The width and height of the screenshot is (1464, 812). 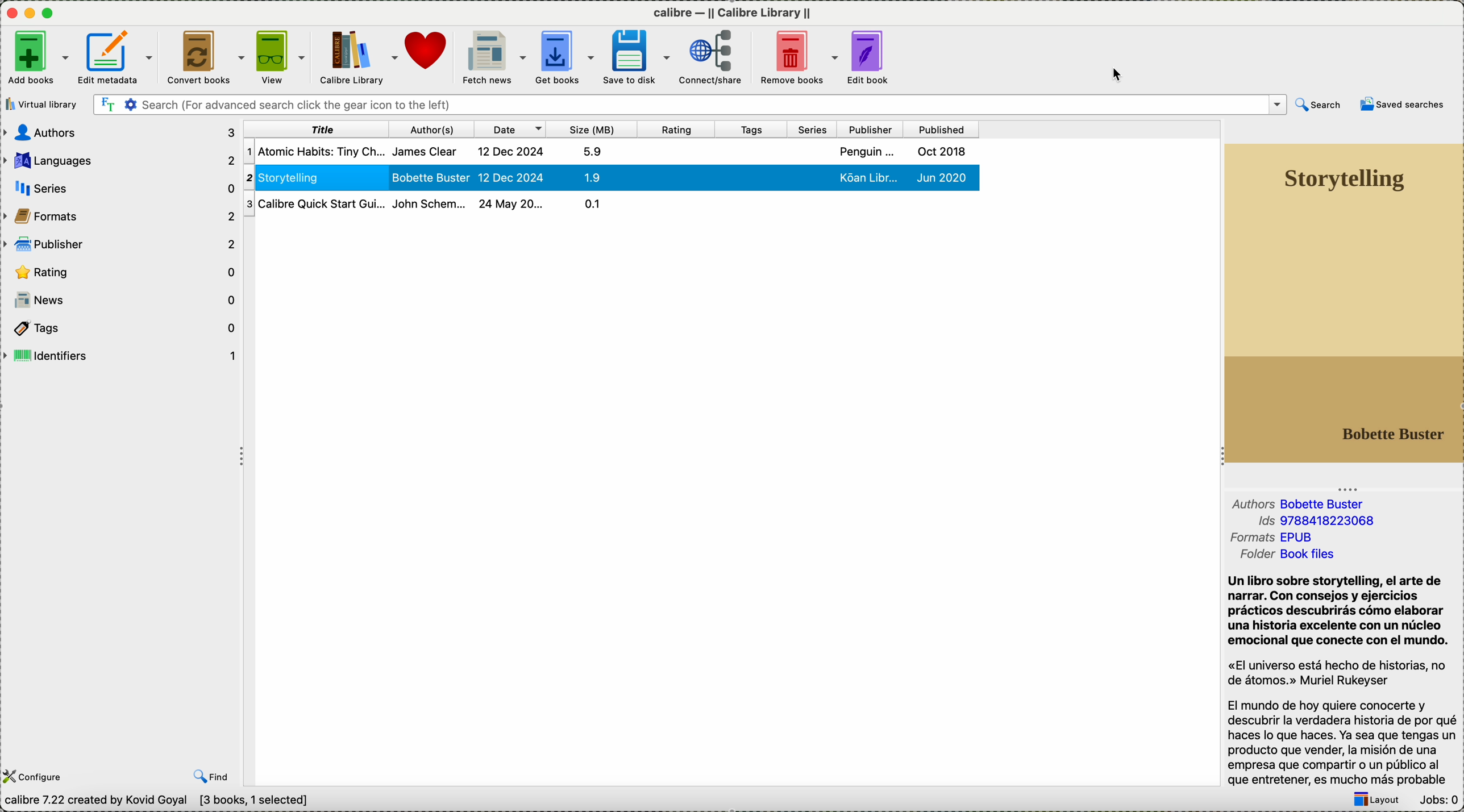 I want to click on click on storytelling book, so click(x=610, y=177).